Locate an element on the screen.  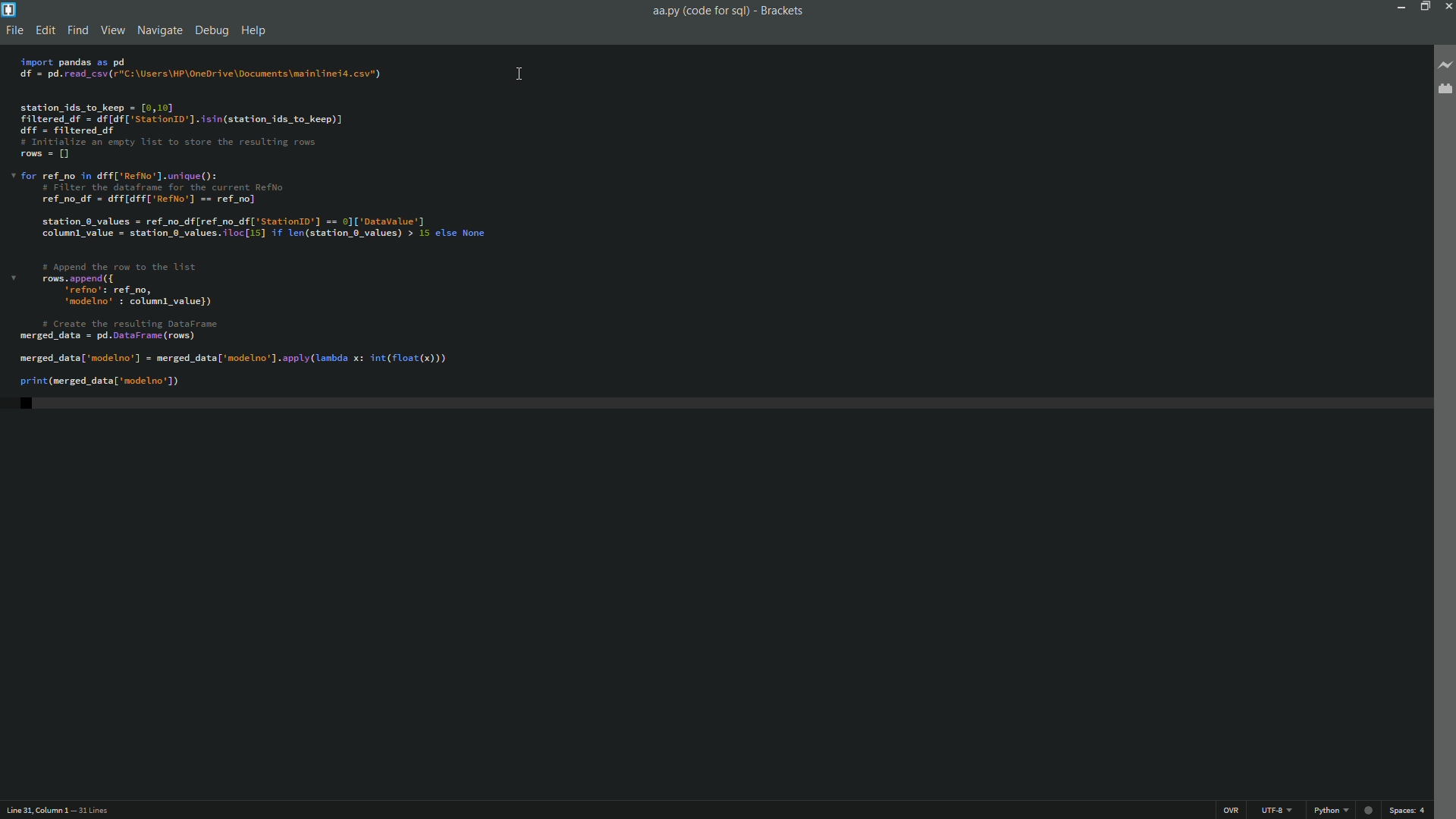
number of lines is located at coordinates (94, 811).